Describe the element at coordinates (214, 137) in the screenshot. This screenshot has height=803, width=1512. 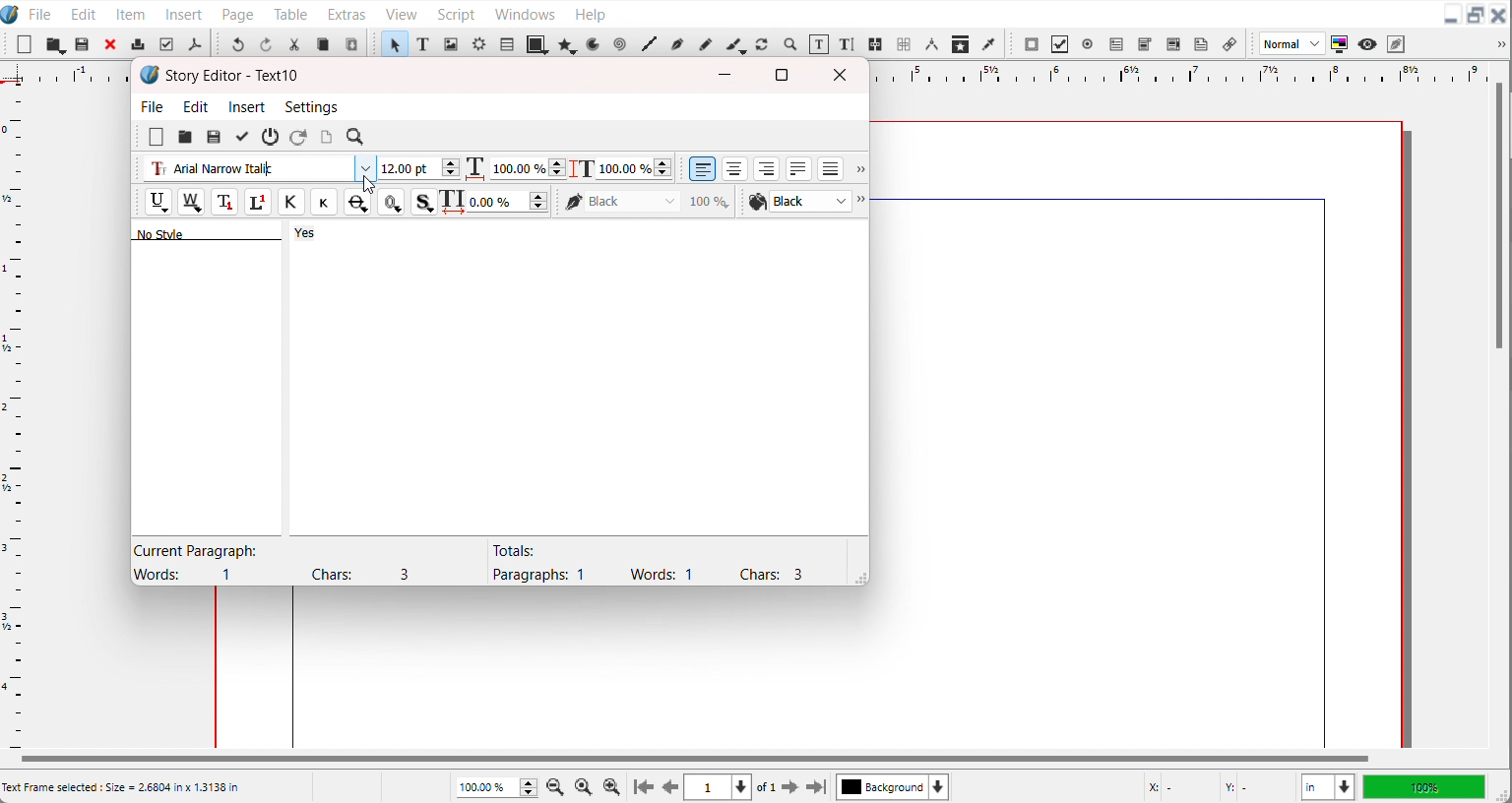
I see `Save` at that location.